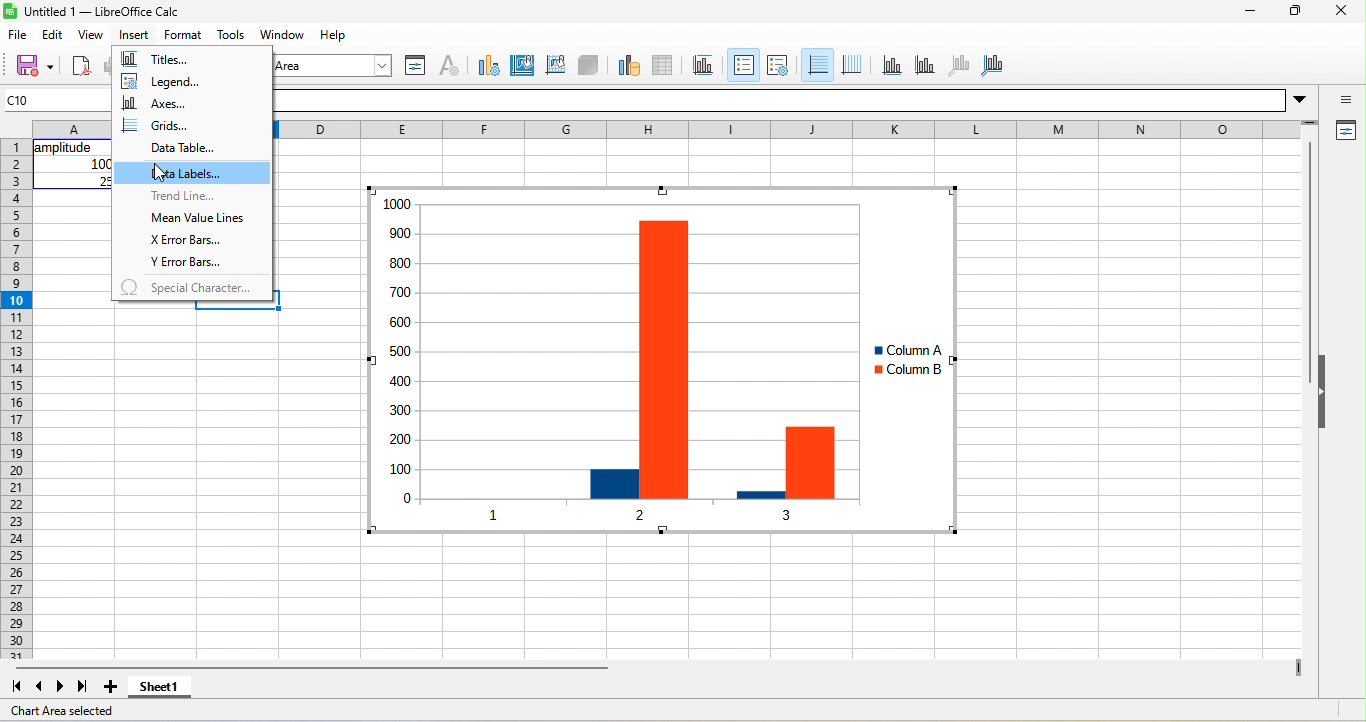 Image resolution: width=1366 pixels, height=722 pixels. What do you see at coordinates (182, 197) in the screenshot?
I see `trend line` at bounding box center [182, 197].